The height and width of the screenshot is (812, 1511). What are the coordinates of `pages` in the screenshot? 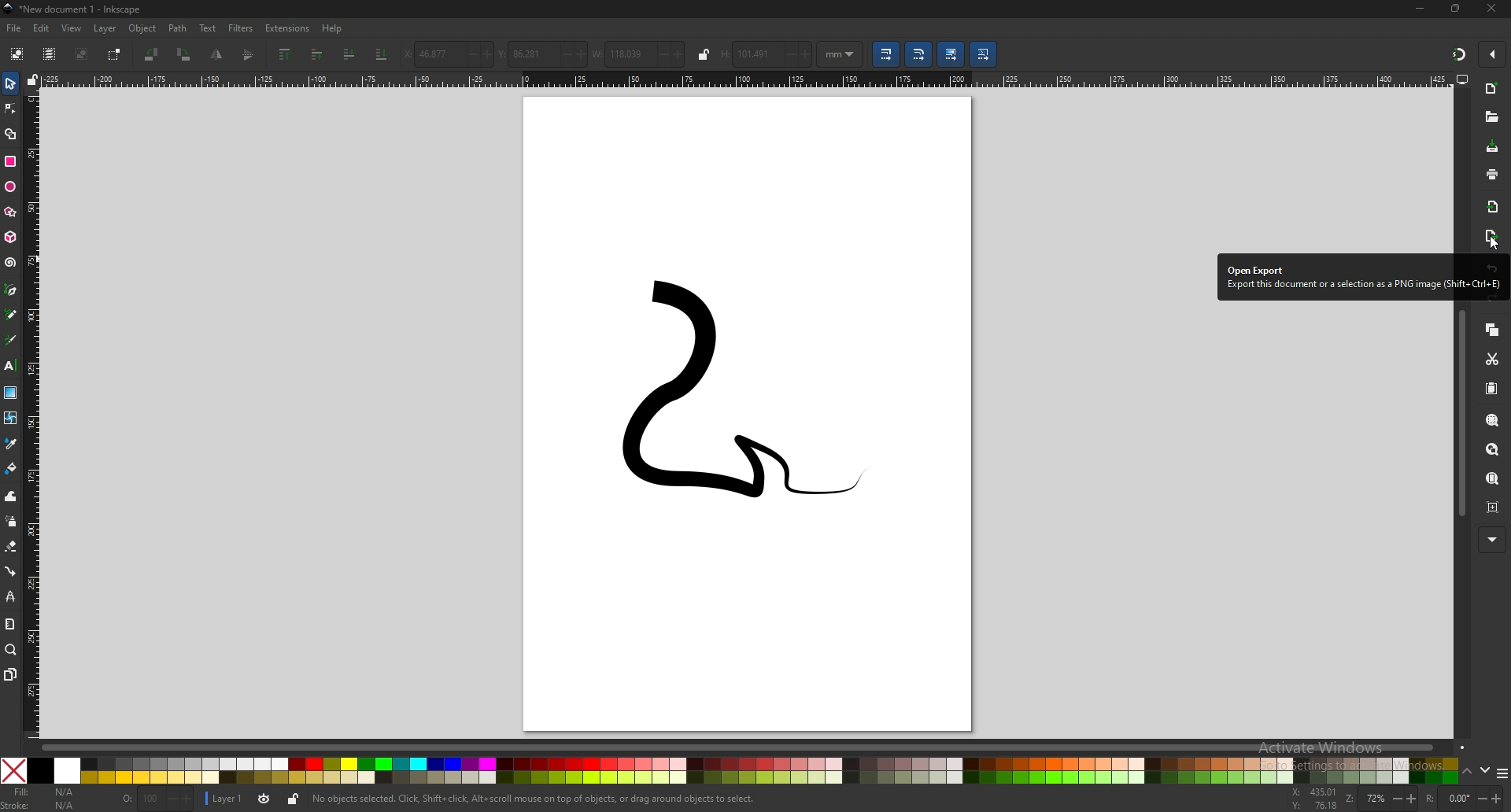 It's located at (10, 674).